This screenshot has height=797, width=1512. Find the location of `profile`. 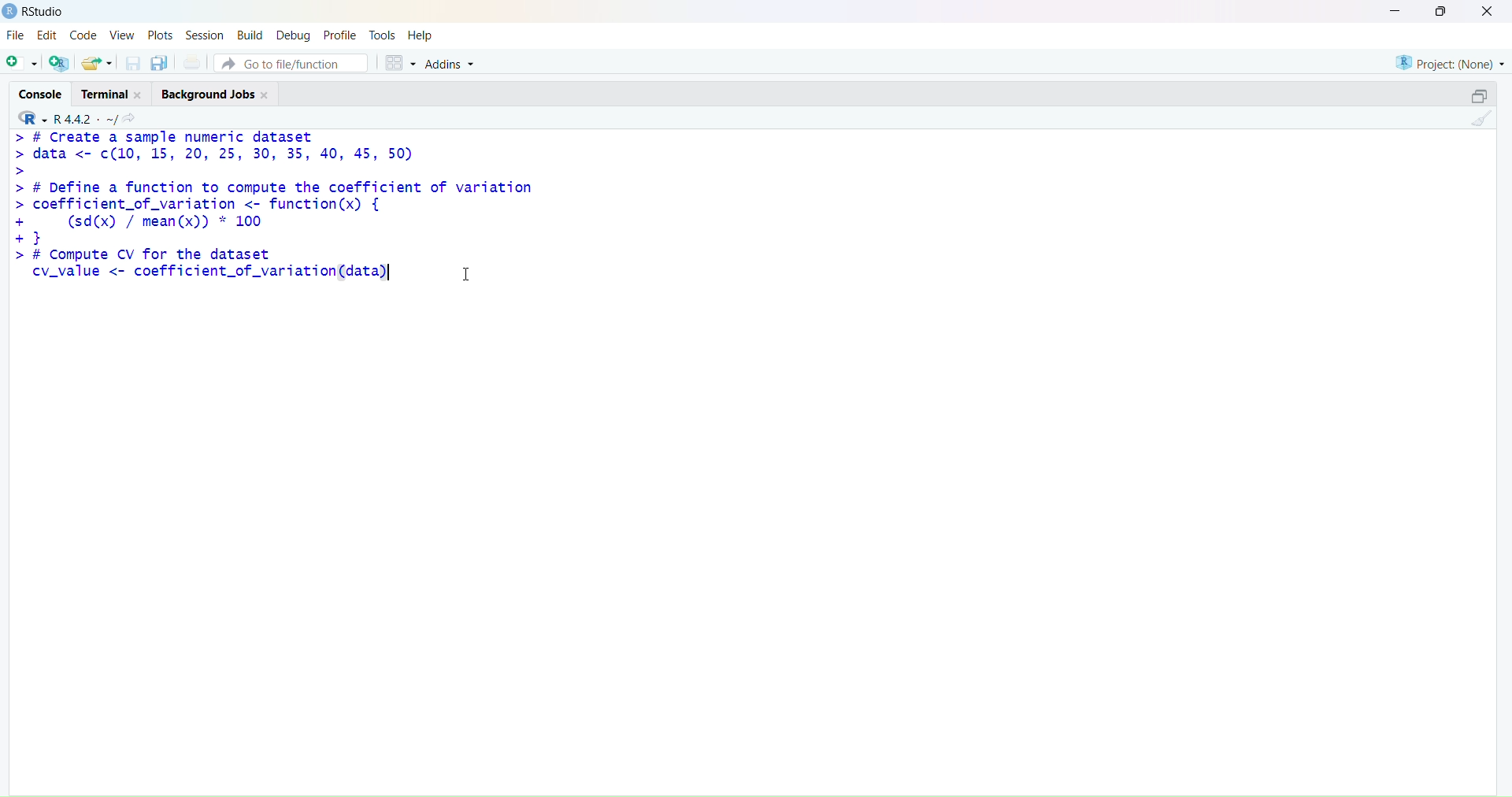

profile is located at coordinates (340, 36).